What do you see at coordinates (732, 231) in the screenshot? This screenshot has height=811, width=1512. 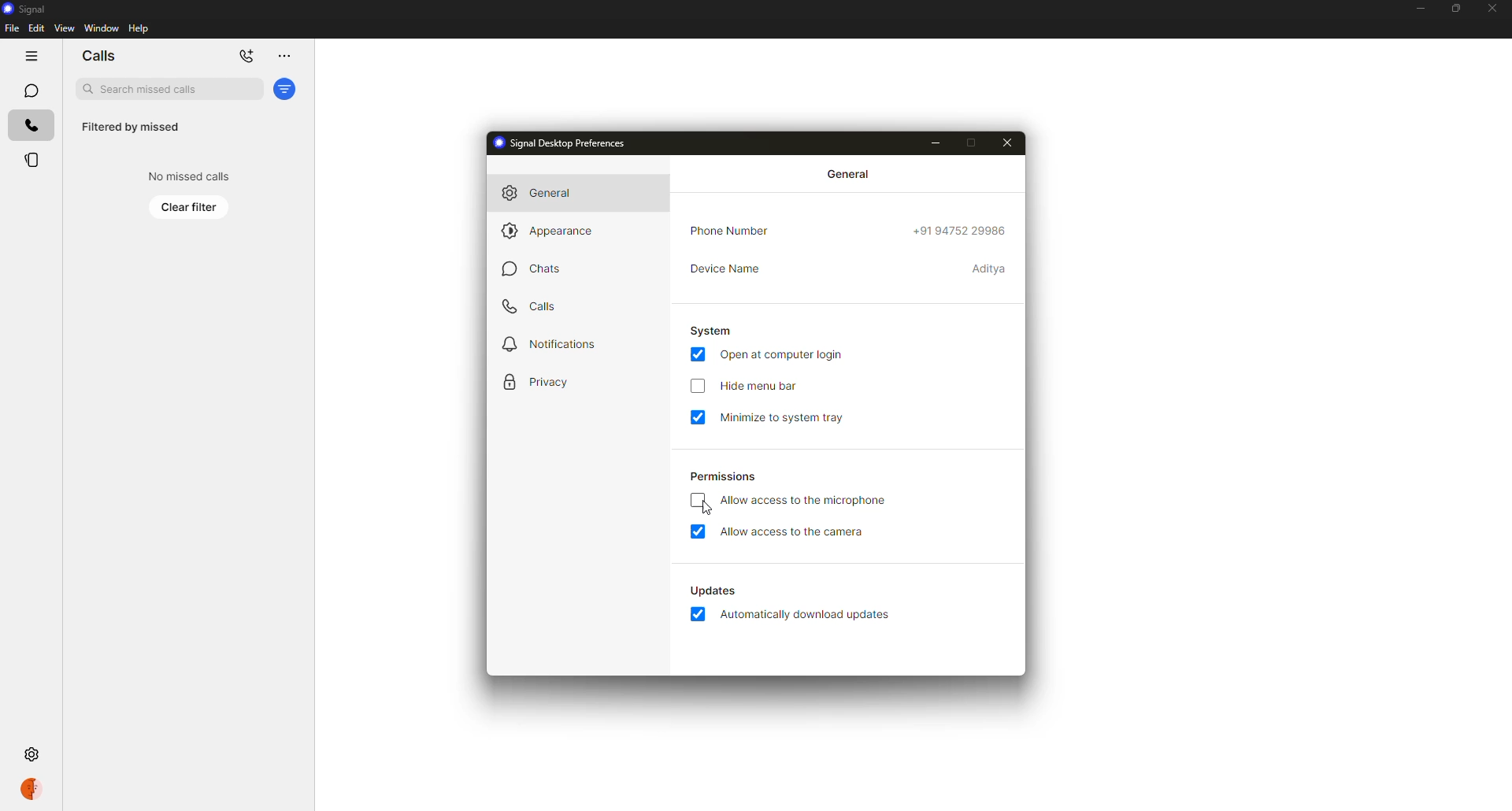 I see `phone number` at bounding box center [732, 231].